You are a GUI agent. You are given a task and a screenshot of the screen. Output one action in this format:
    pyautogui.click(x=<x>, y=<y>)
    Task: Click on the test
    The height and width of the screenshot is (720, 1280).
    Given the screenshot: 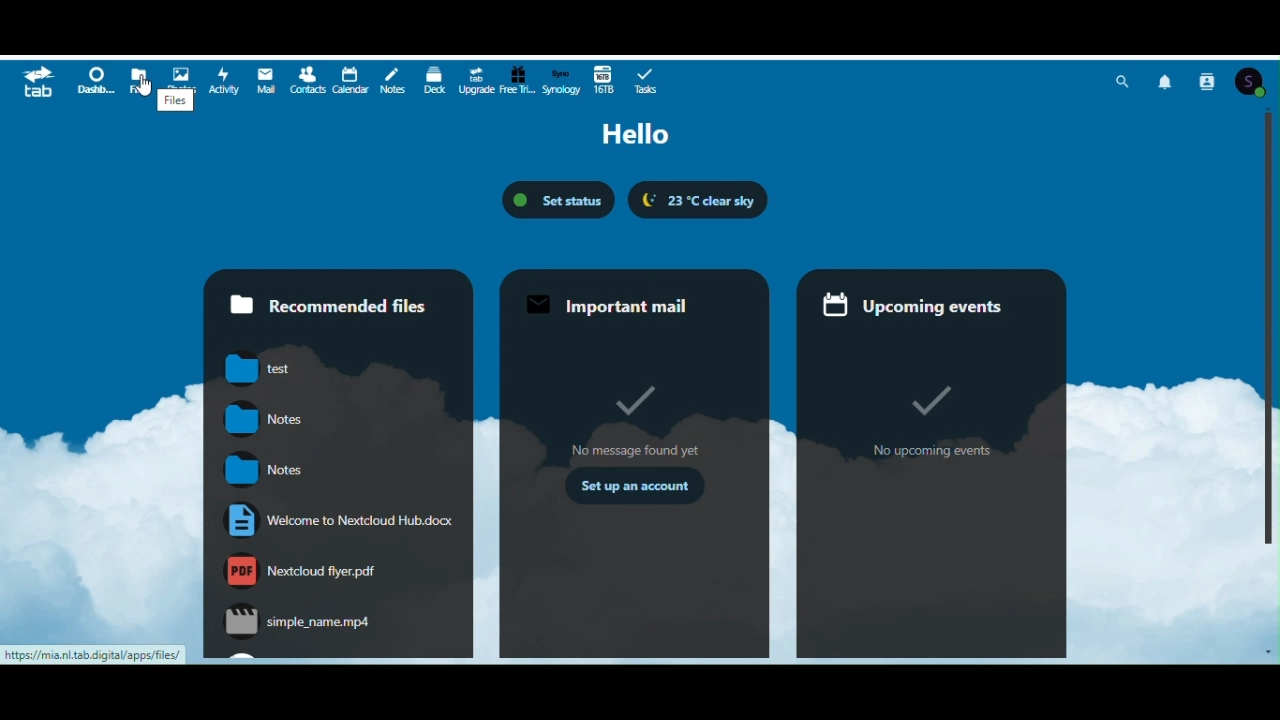 What is the action you would take?
    pyautogui.click(x=263, y=368)
    